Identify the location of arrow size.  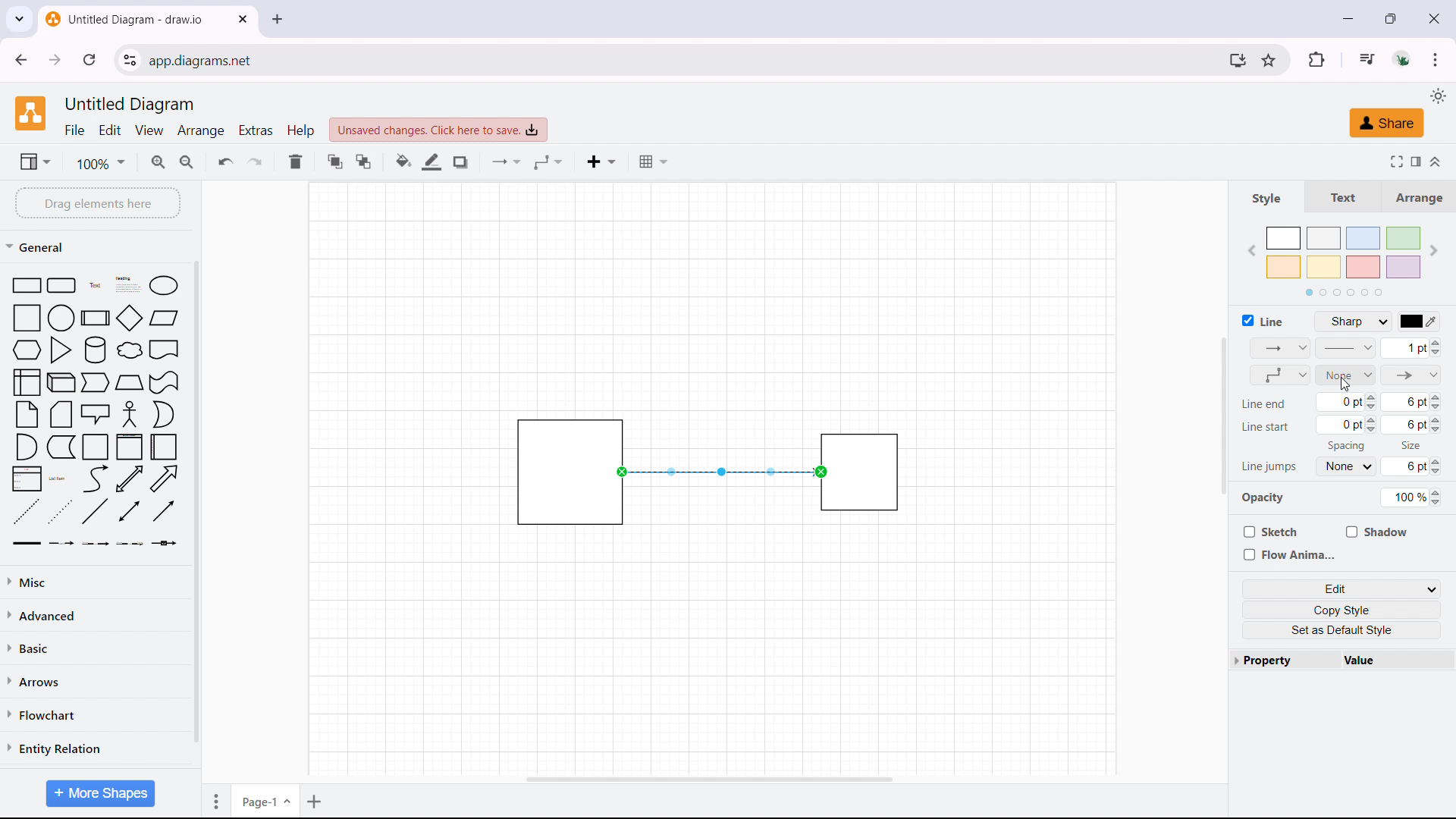
(1410, 348).